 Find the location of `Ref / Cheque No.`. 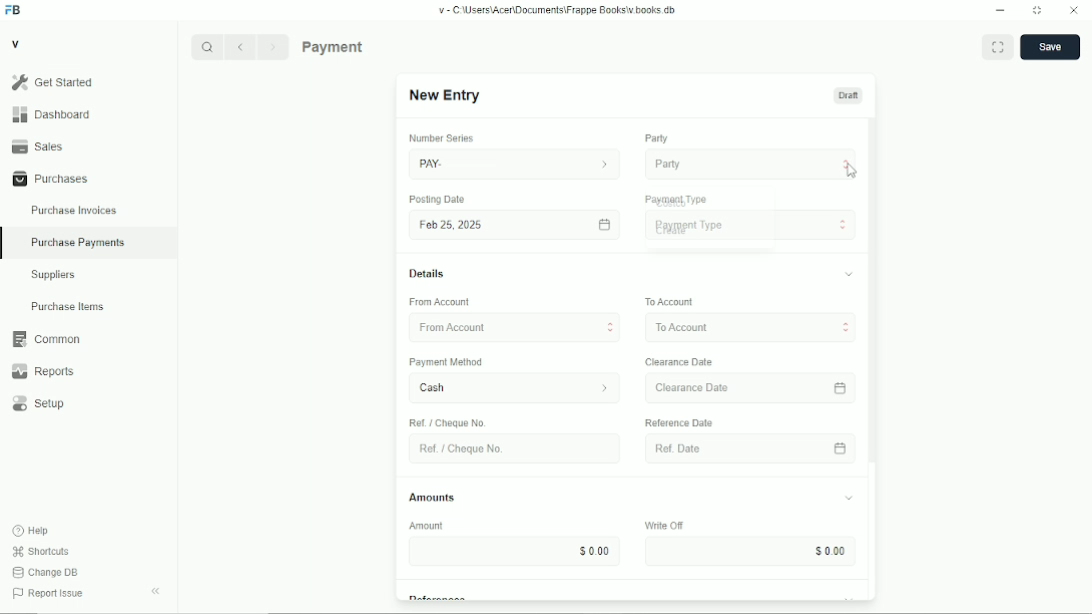

Ref / Cheque No. is located at coordinates (450, 422).